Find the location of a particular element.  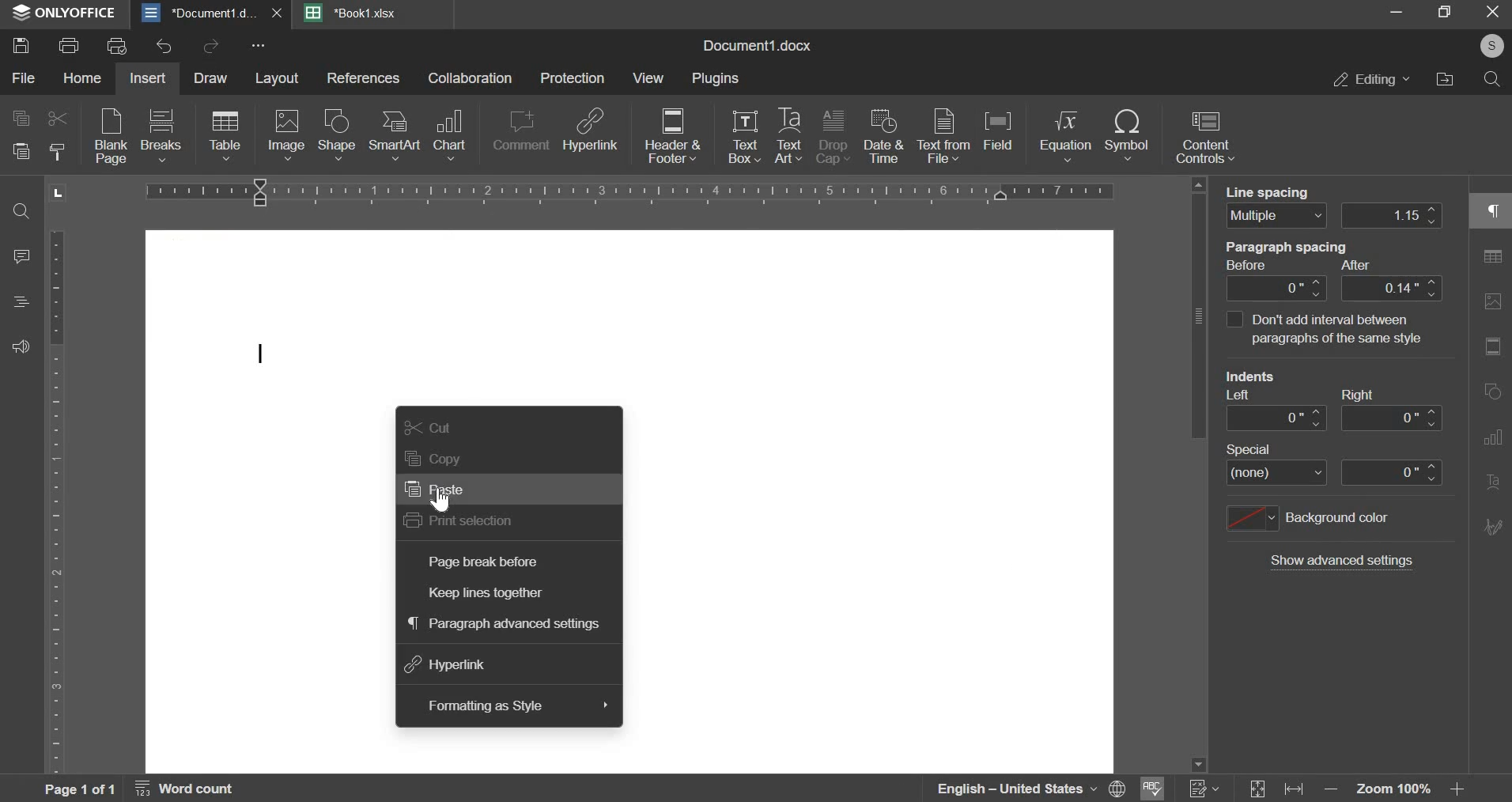

tool tip is located at coordinates (1322, 329).